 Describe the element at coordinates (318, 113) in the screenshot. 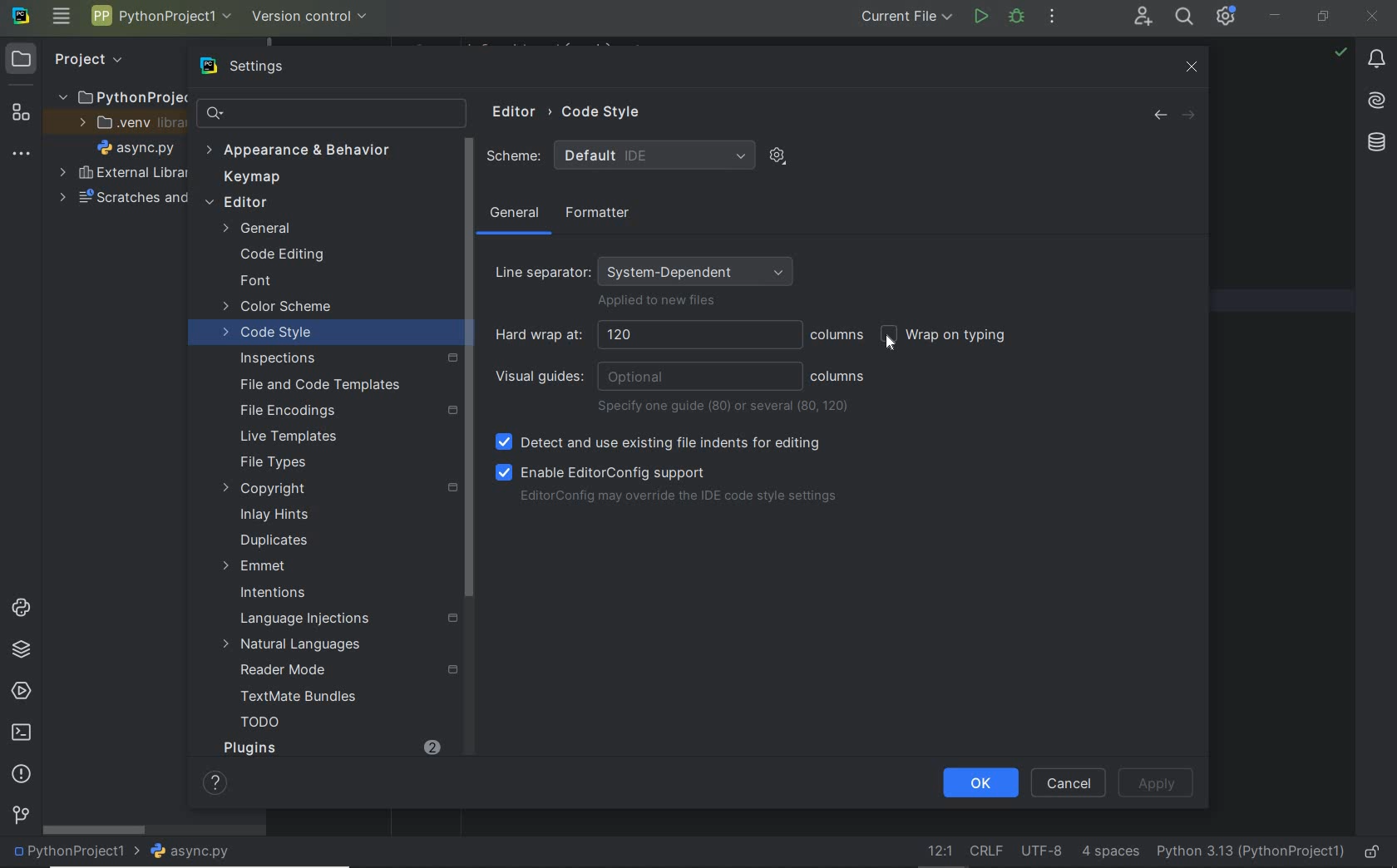

I see `search settings` at that location.